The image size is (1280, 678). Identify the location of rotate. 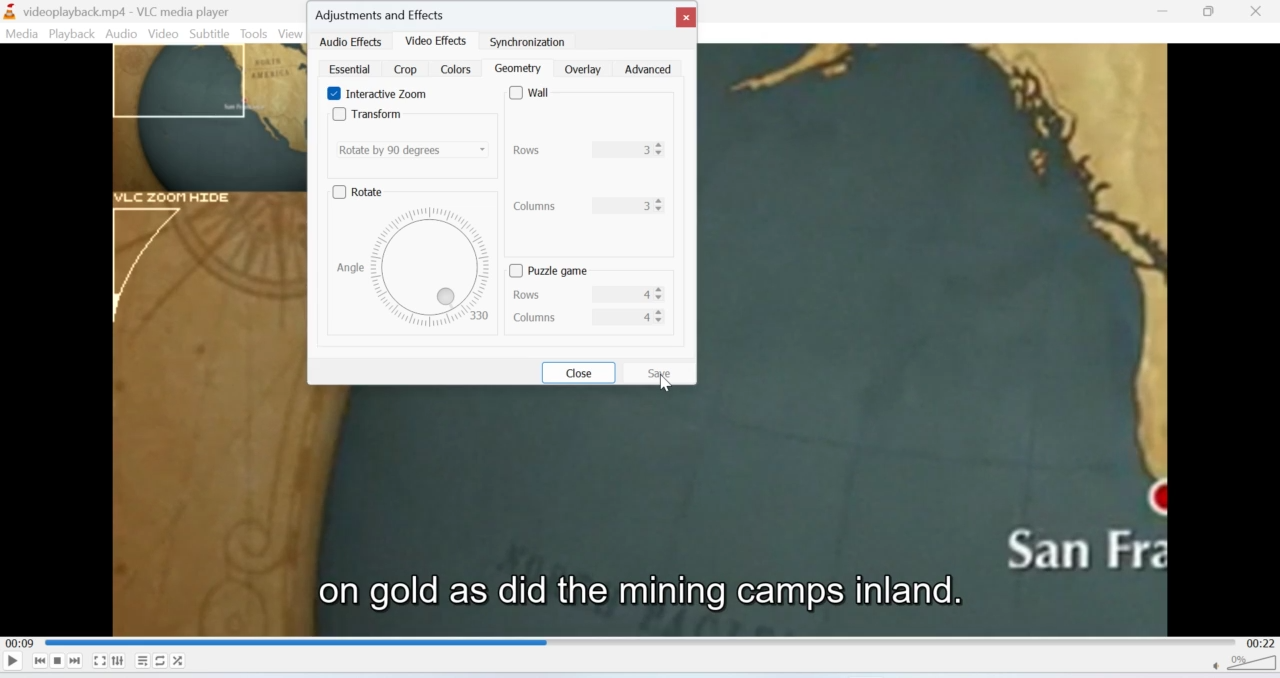
(363, 189).